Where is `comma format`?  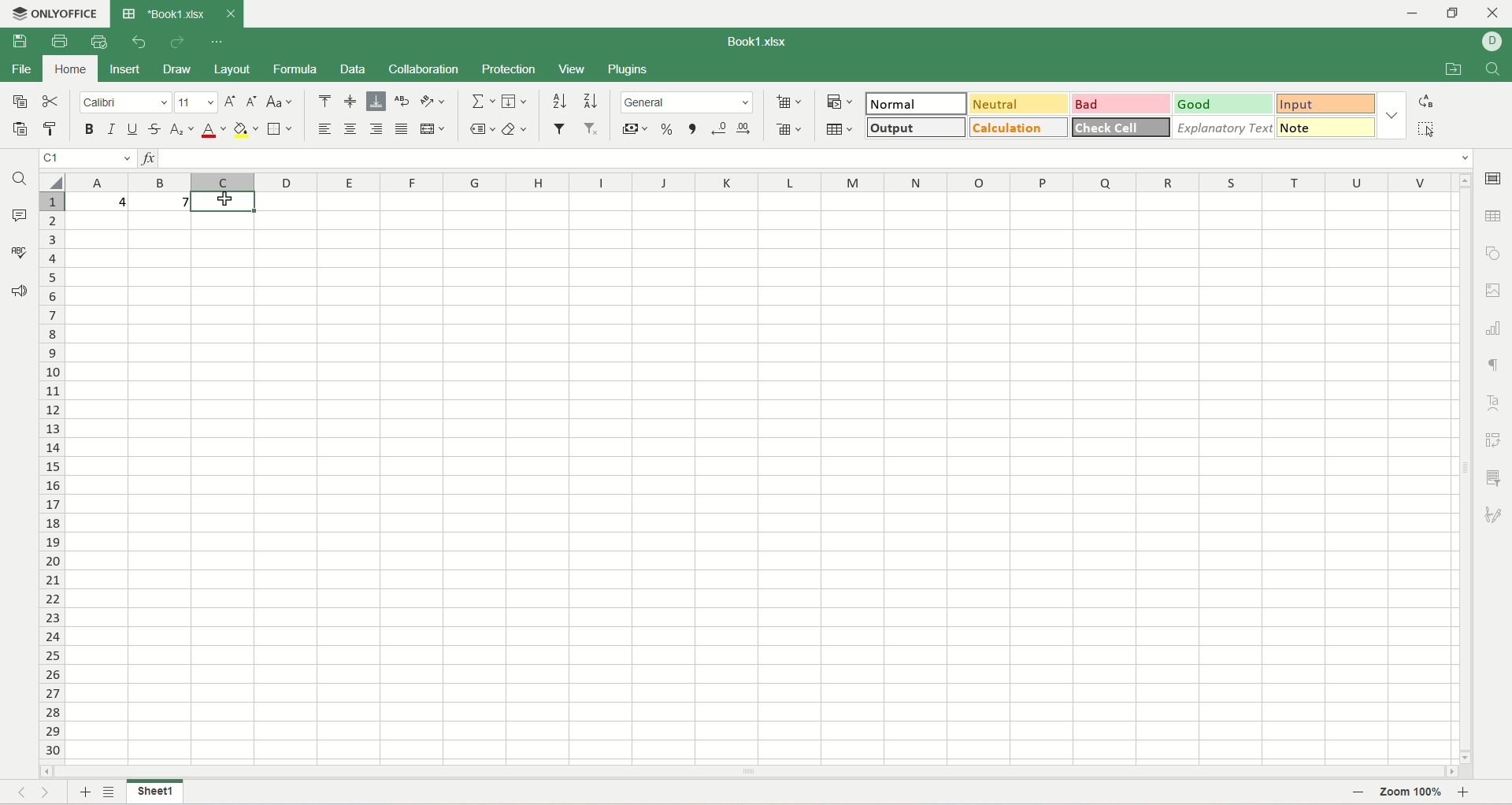
comma format is located at coordinates (692, 129).